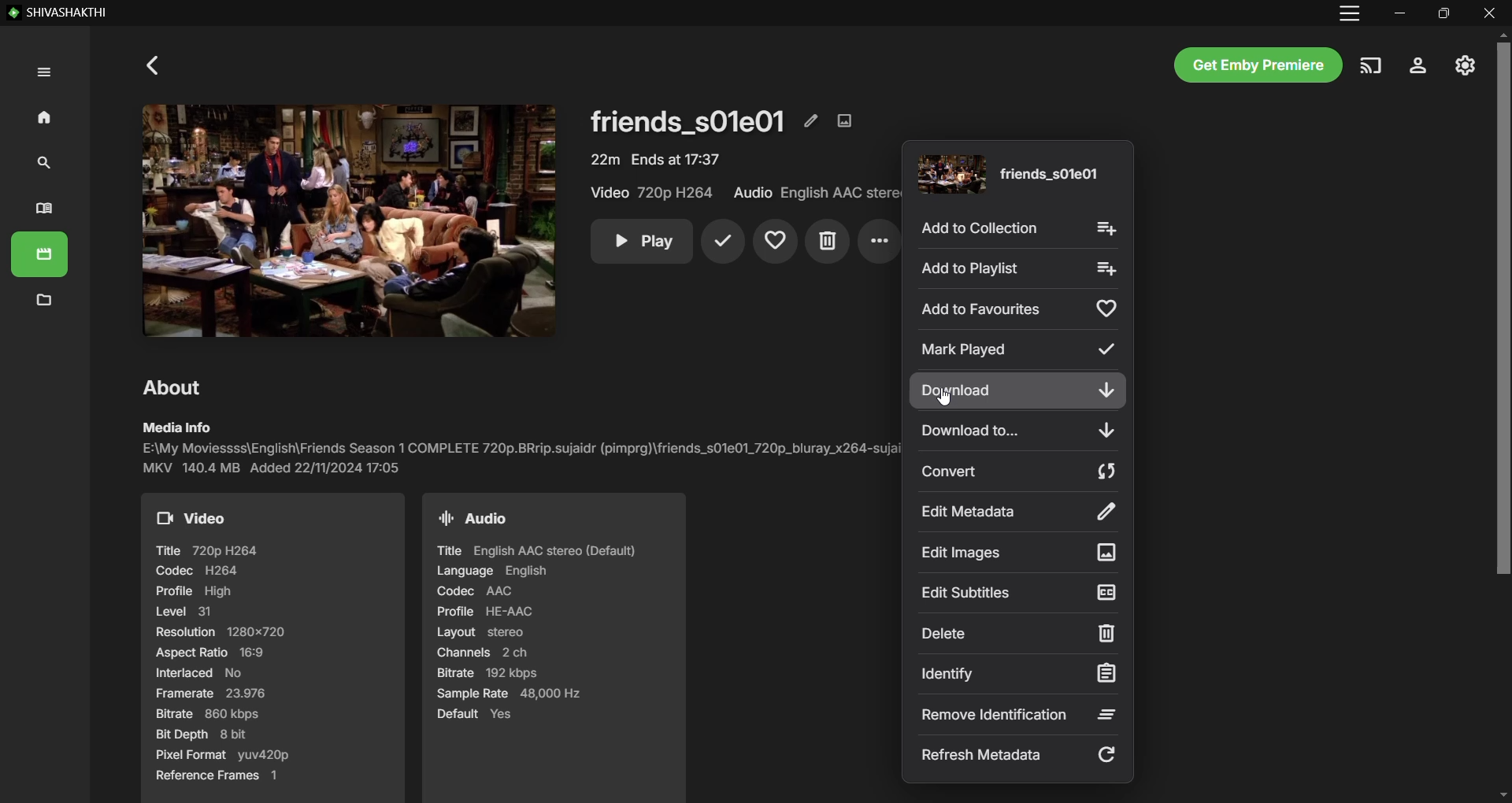  What do you see at coordinates (58, 13) in the screenshot?
I see `SHIVASHAKTHI - Emby App Server Name` at bounding box center [58, 13].